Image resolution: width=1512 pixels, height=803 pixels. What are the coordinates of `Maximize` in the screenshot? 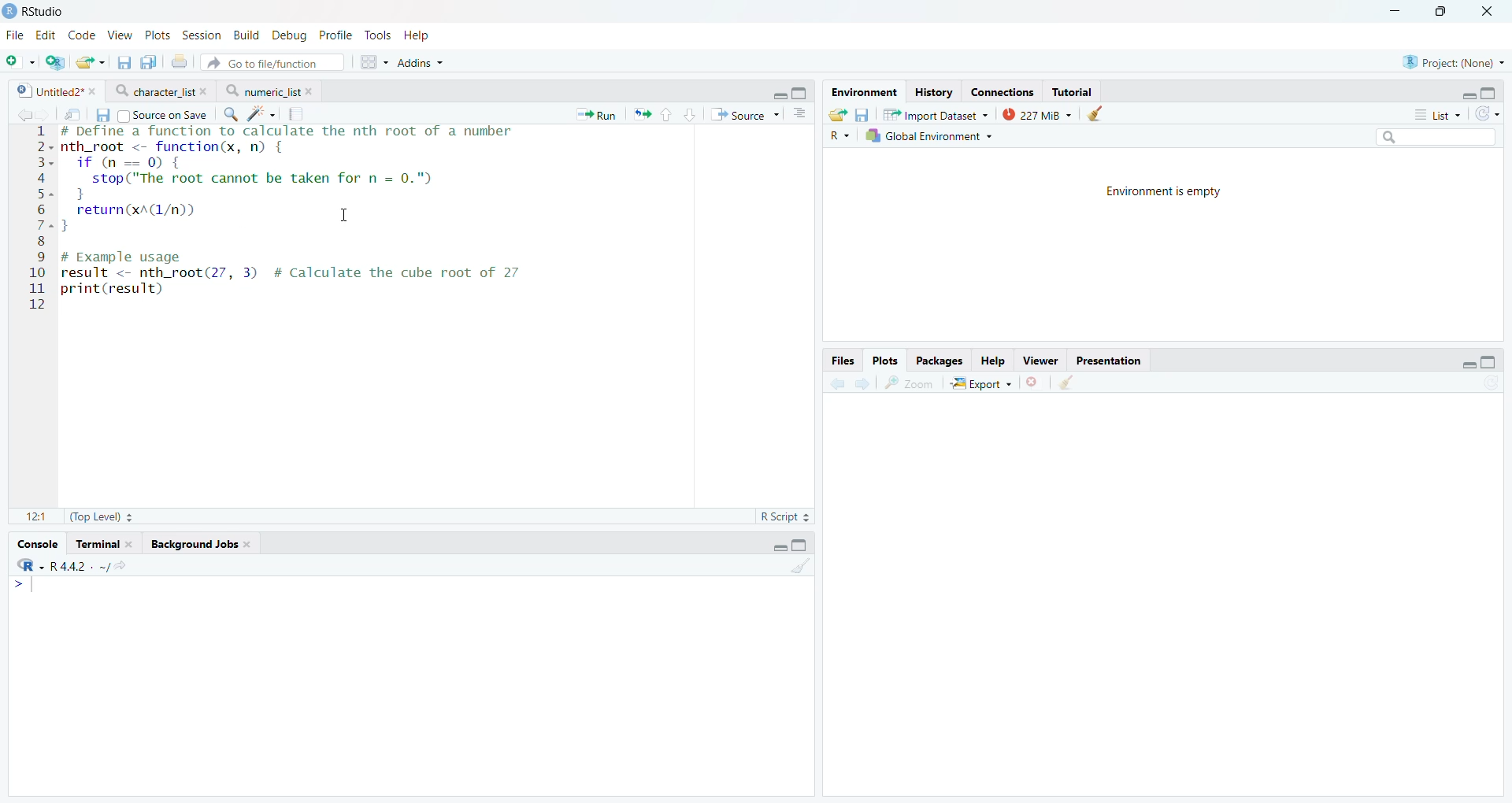 It's located at (1443, 10).